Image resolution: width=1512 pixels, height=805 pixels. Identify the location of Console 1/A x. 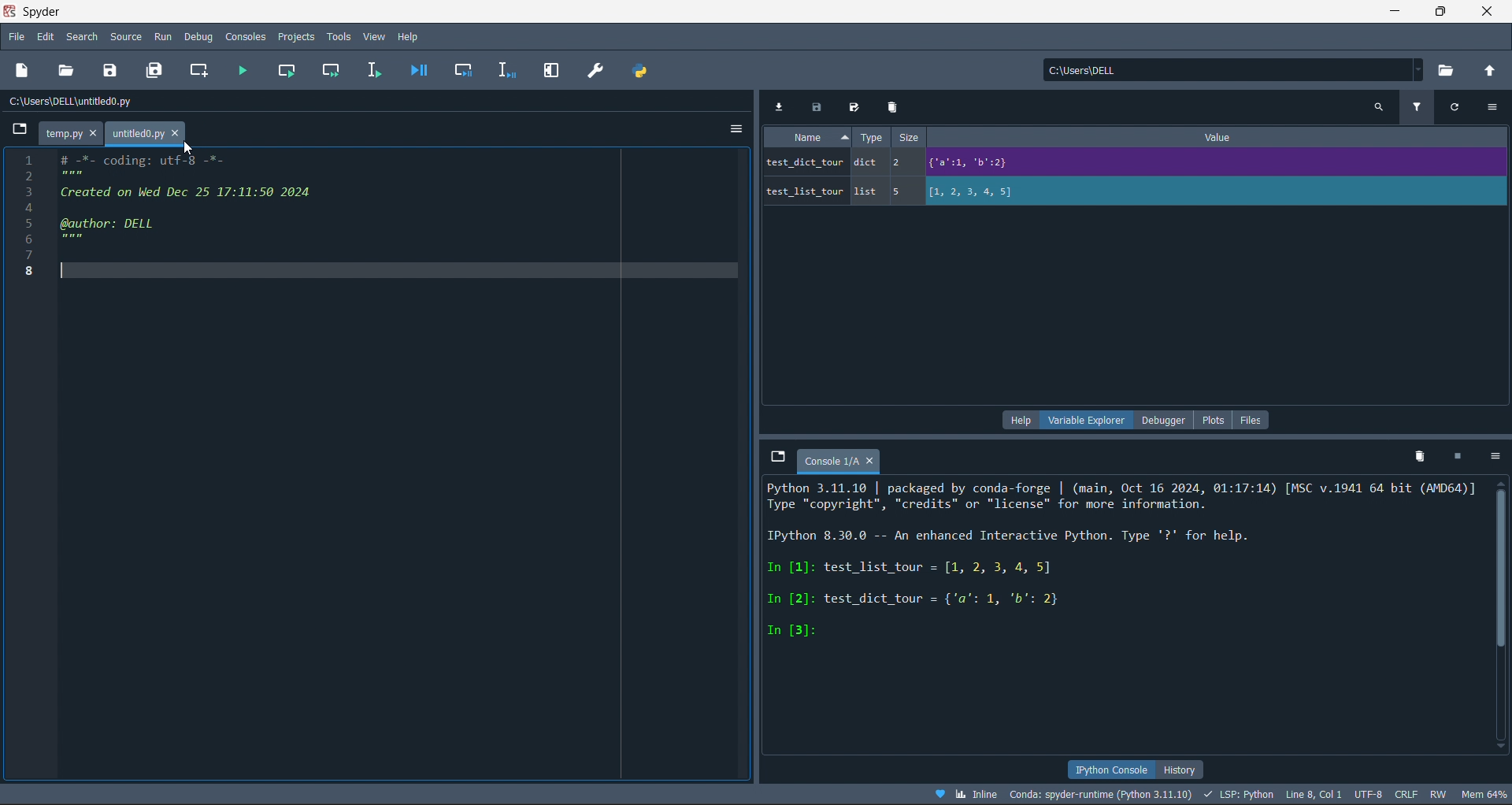
(843, 460).